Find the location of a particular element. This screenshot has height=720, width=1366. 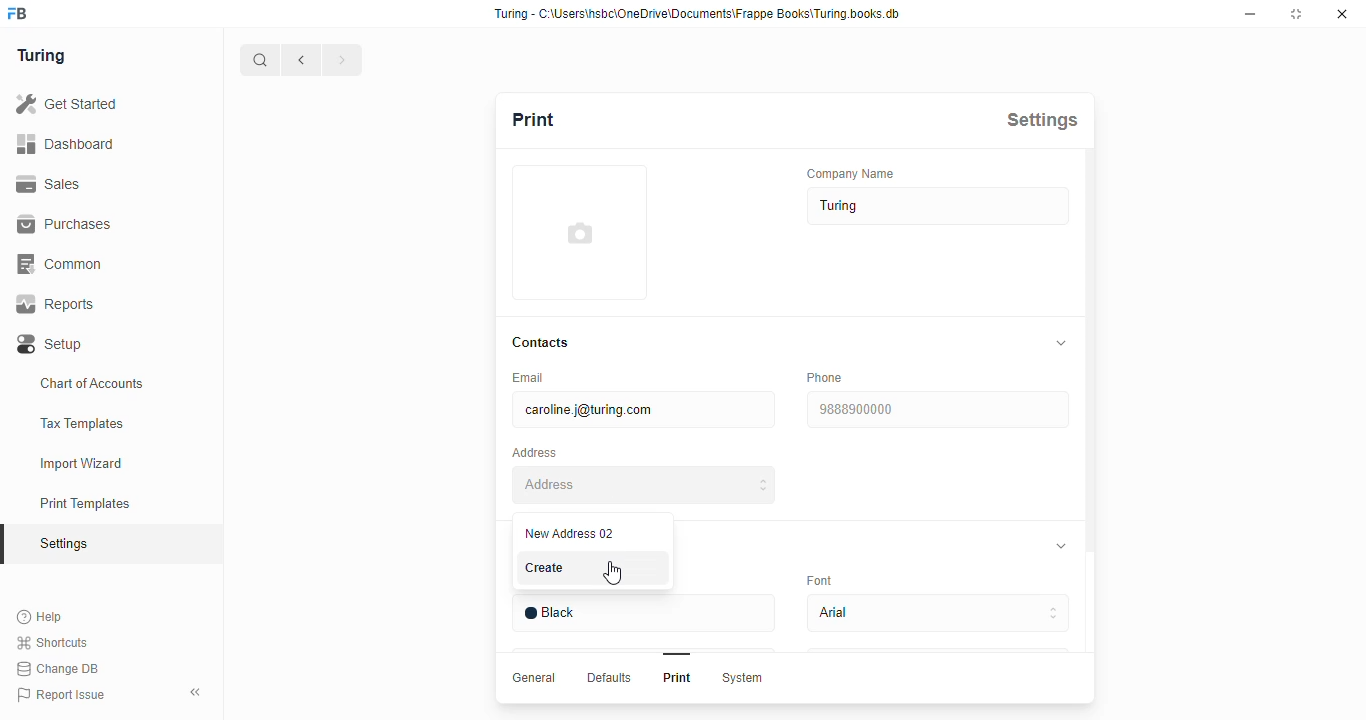

settings is located at coordinates (1042, 120).